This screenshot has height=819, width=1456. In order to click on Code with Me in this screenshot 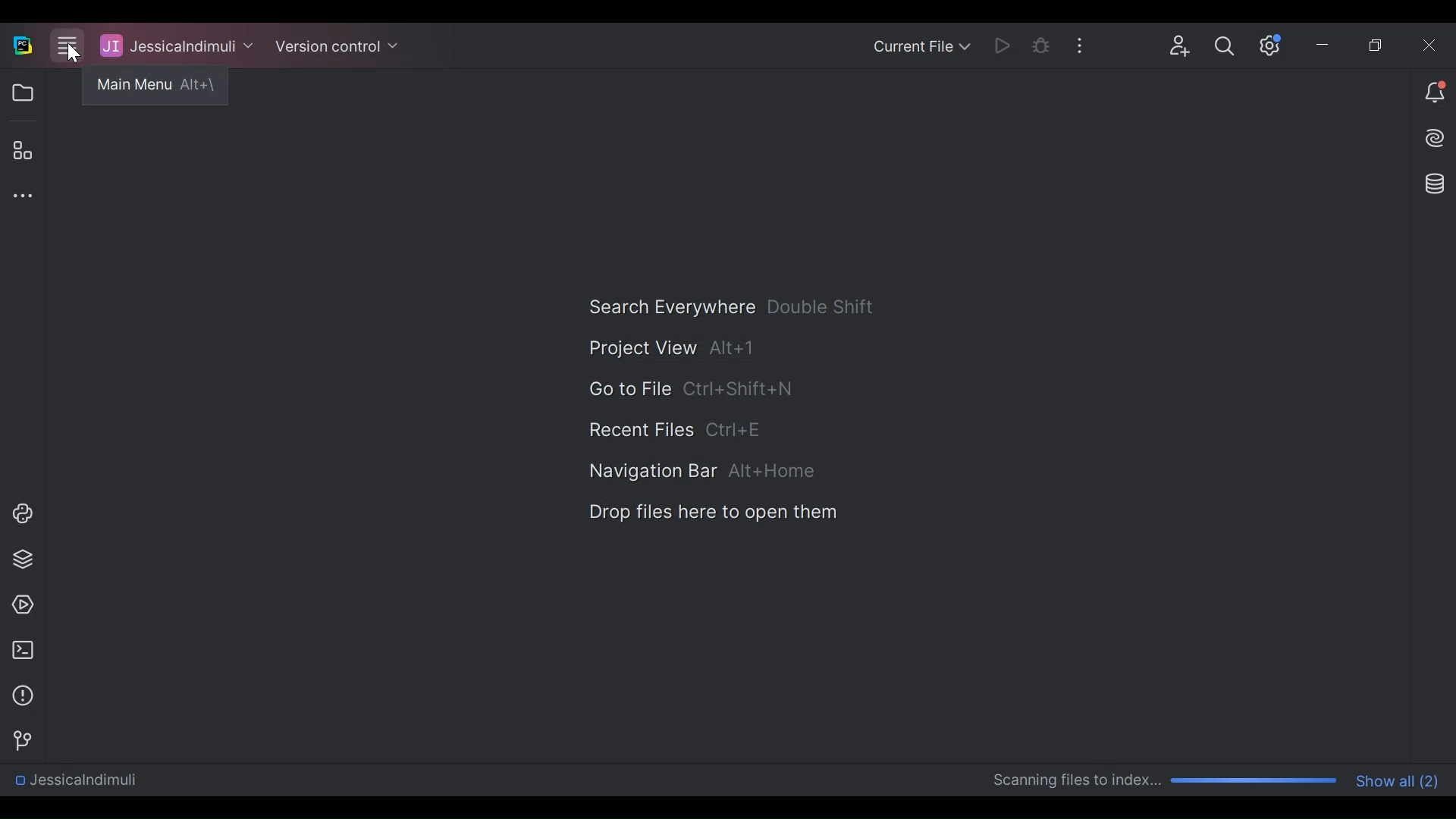, I will do `click(1181, 44)`.